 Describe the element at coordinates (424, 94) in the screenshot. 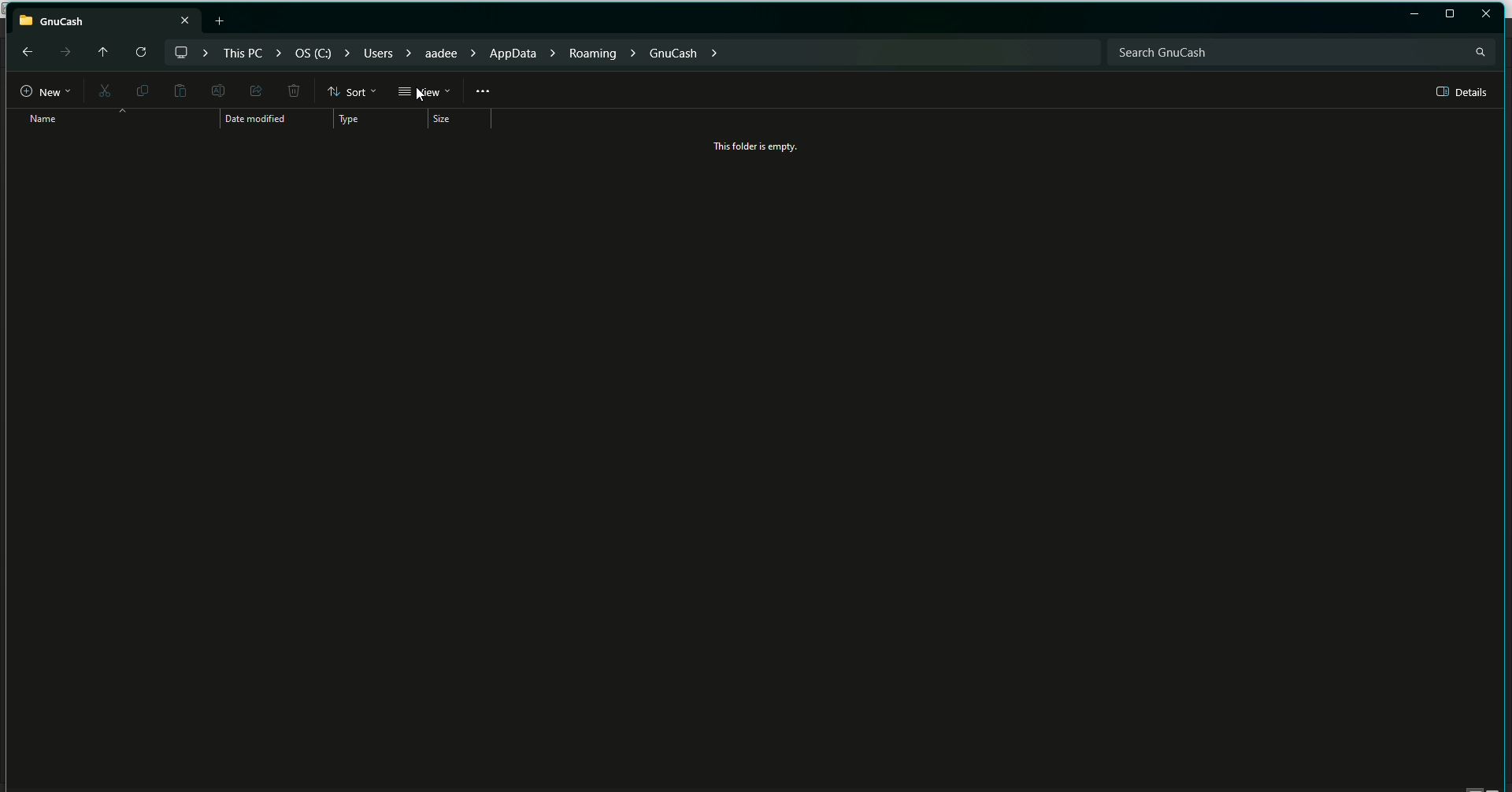

I see `Cursor` at that location.